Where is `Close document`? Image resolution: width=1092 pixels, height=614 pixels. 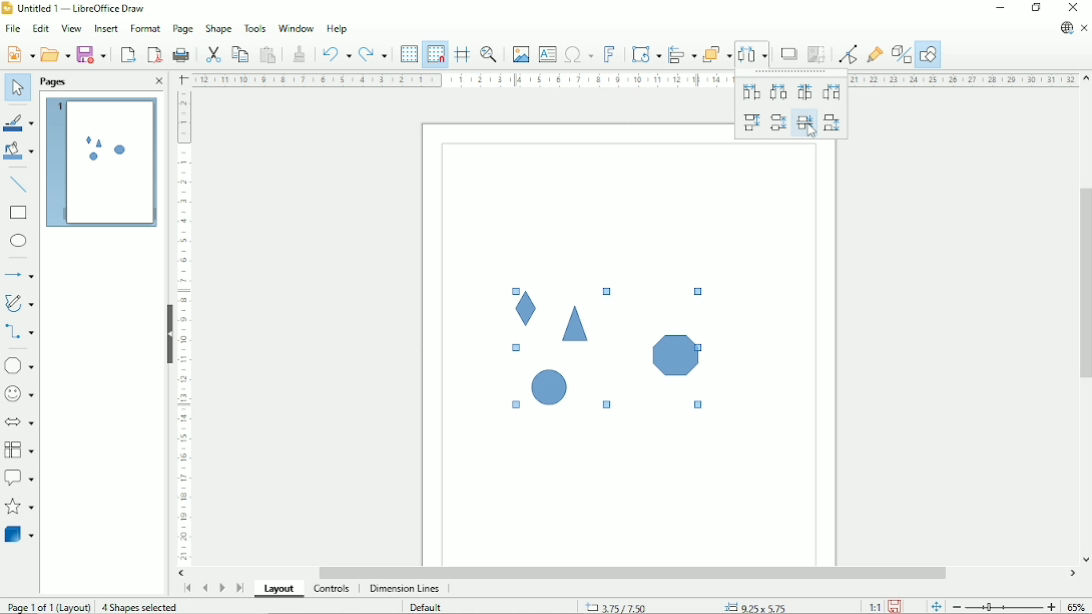
Close document is located at coordinates (1085, 29).